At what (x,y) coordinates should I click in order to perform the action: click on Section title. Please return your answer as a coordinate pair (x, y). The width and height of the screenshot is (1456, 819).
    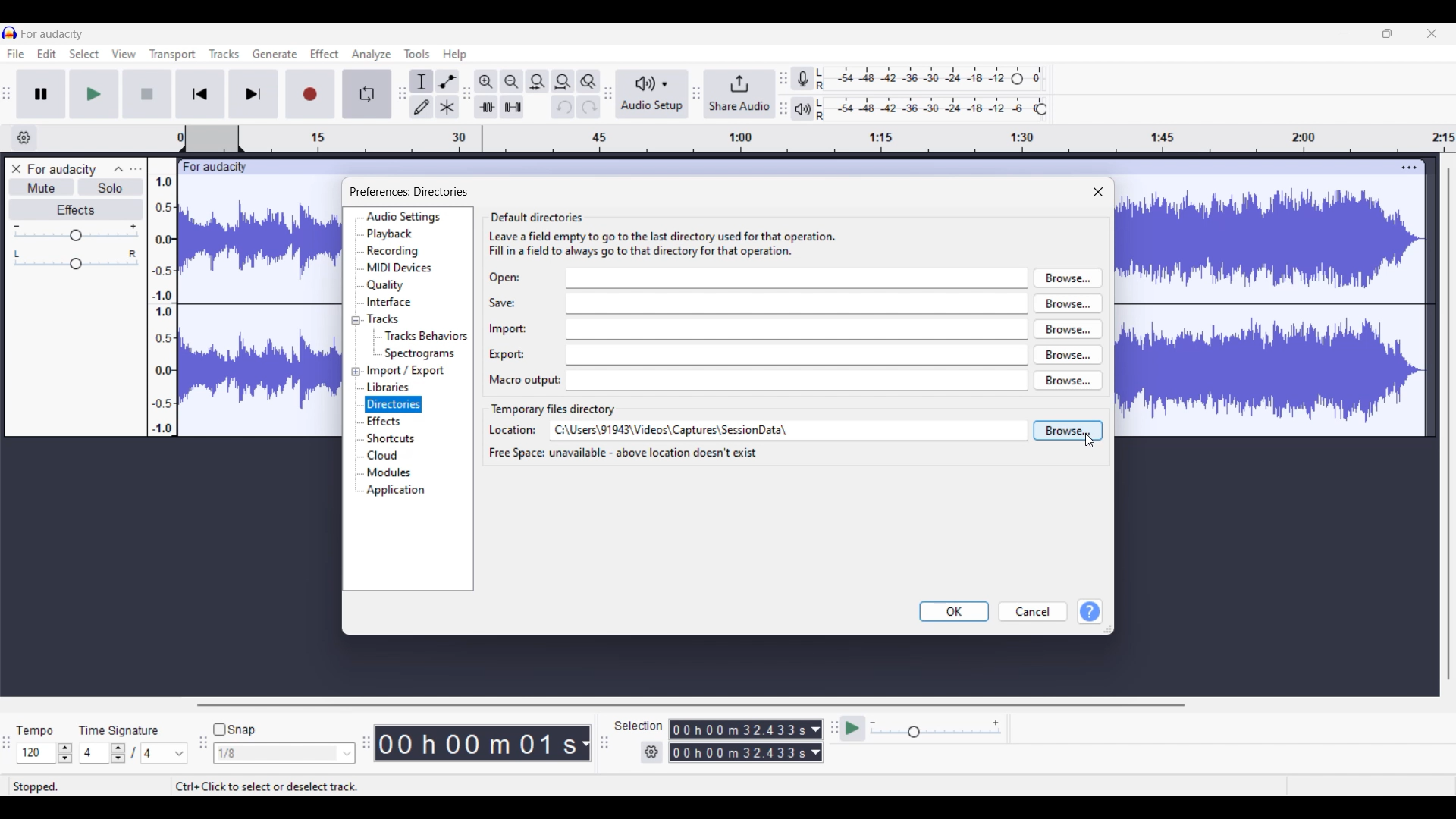
    Looking at the image, I should click on (553, 410).